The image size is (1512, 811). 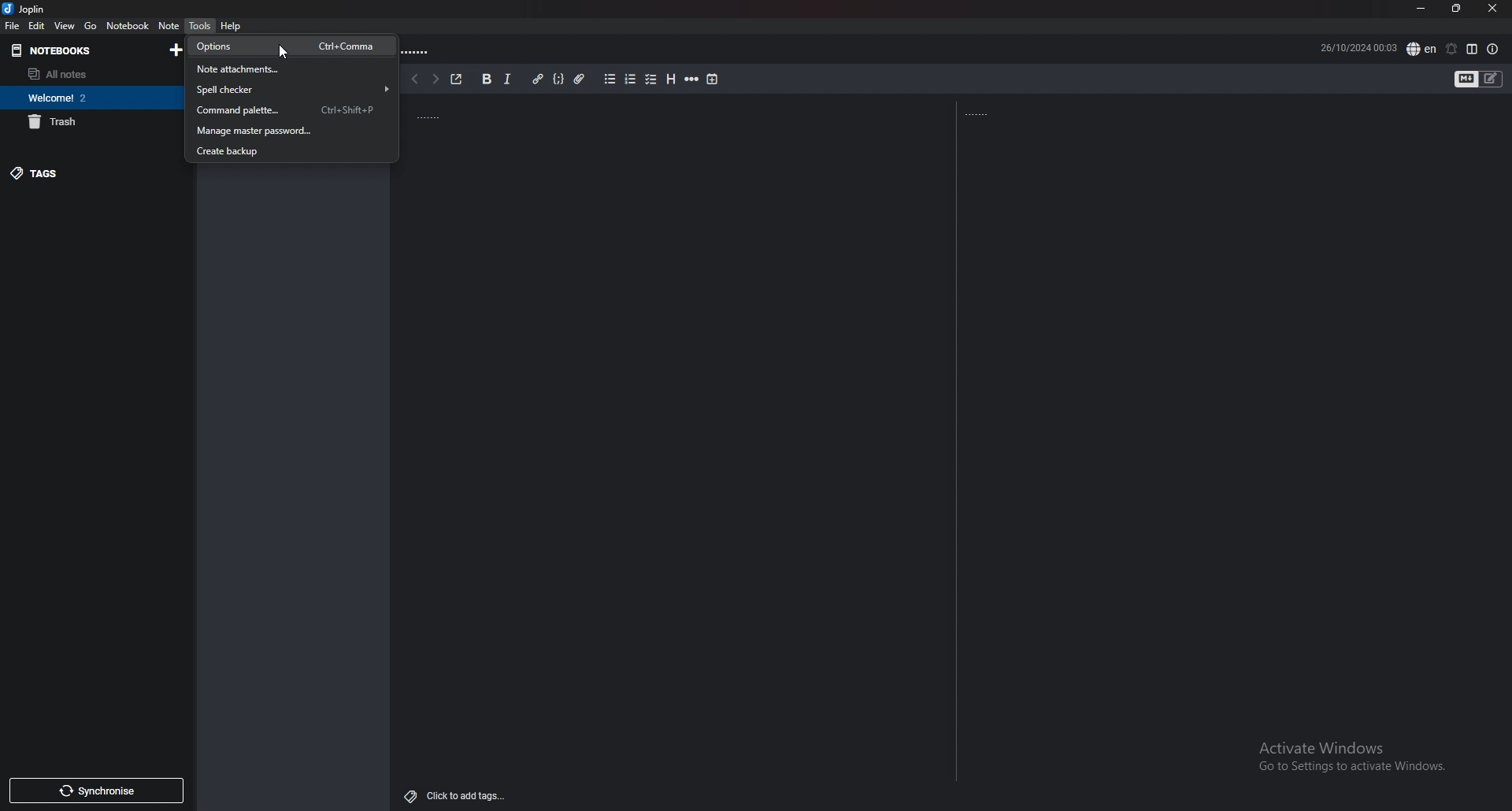 What do you see at coordinates (506, 80) in the screenshot?
I see `italic` at bounding box center [506, 80].